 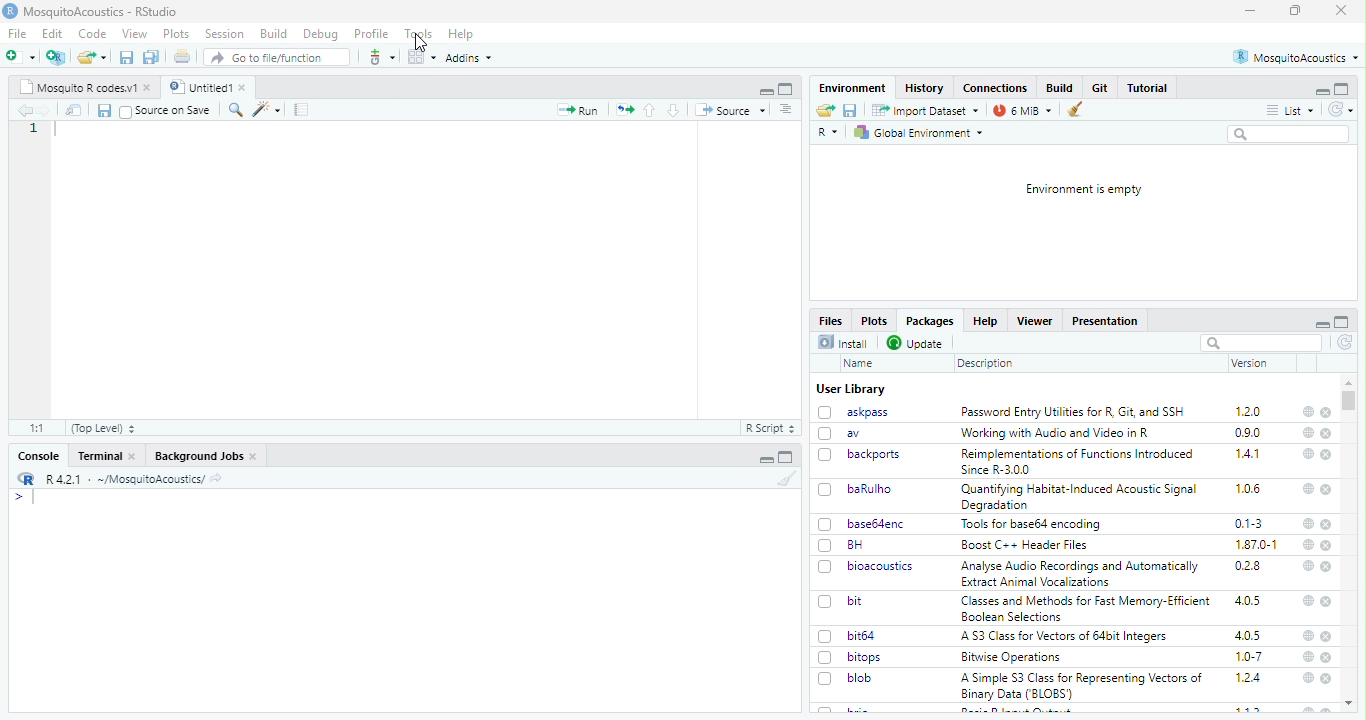 I want to click on Reimplementations of Functions Introduced
Since R-3.0.0, so click(x=1081, y=462).